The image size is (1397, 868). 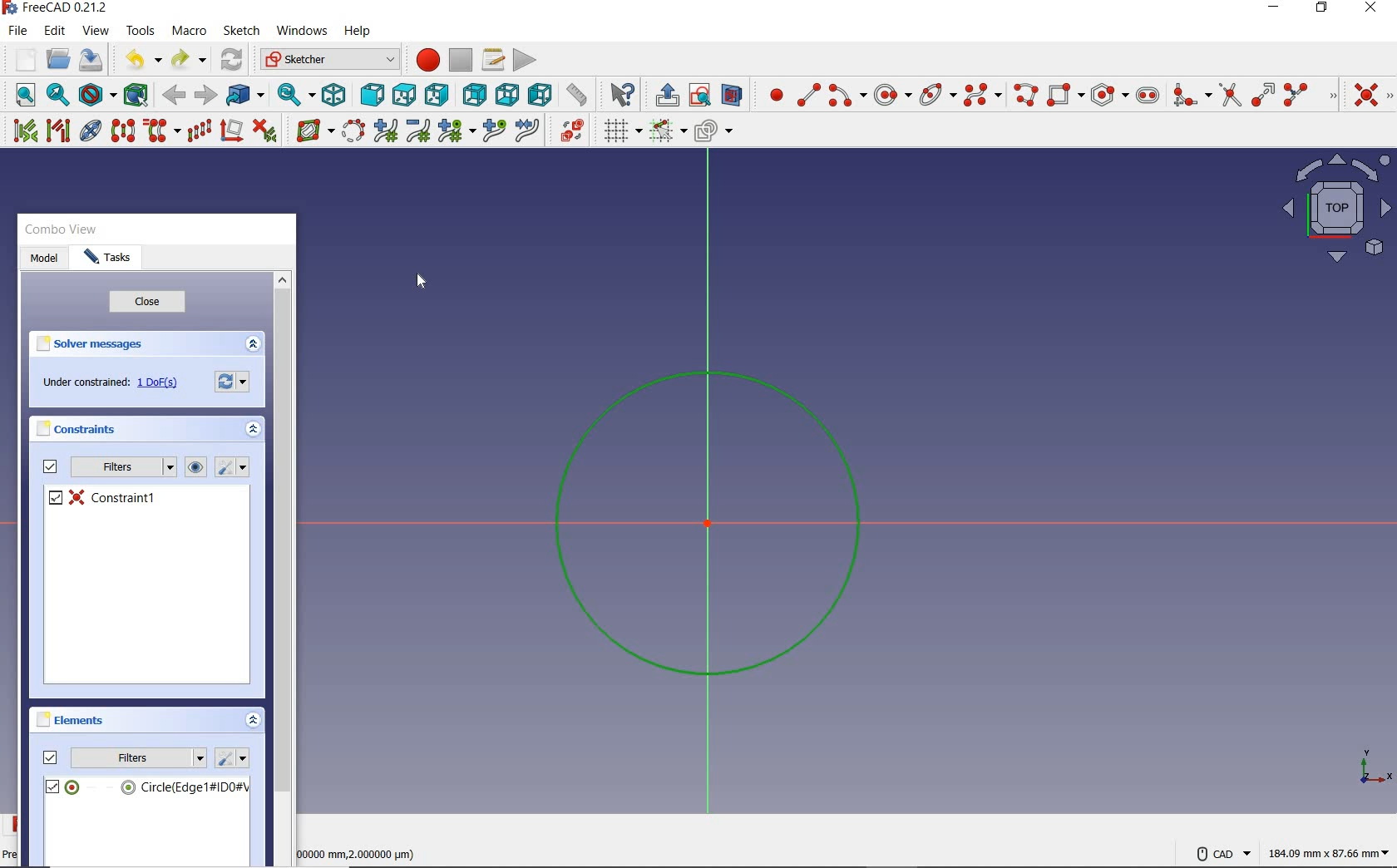 What do you see at coordinates (455, 131) in the screenshot?
I see `modify knot multiplicity` at bounding box center [455, 131].